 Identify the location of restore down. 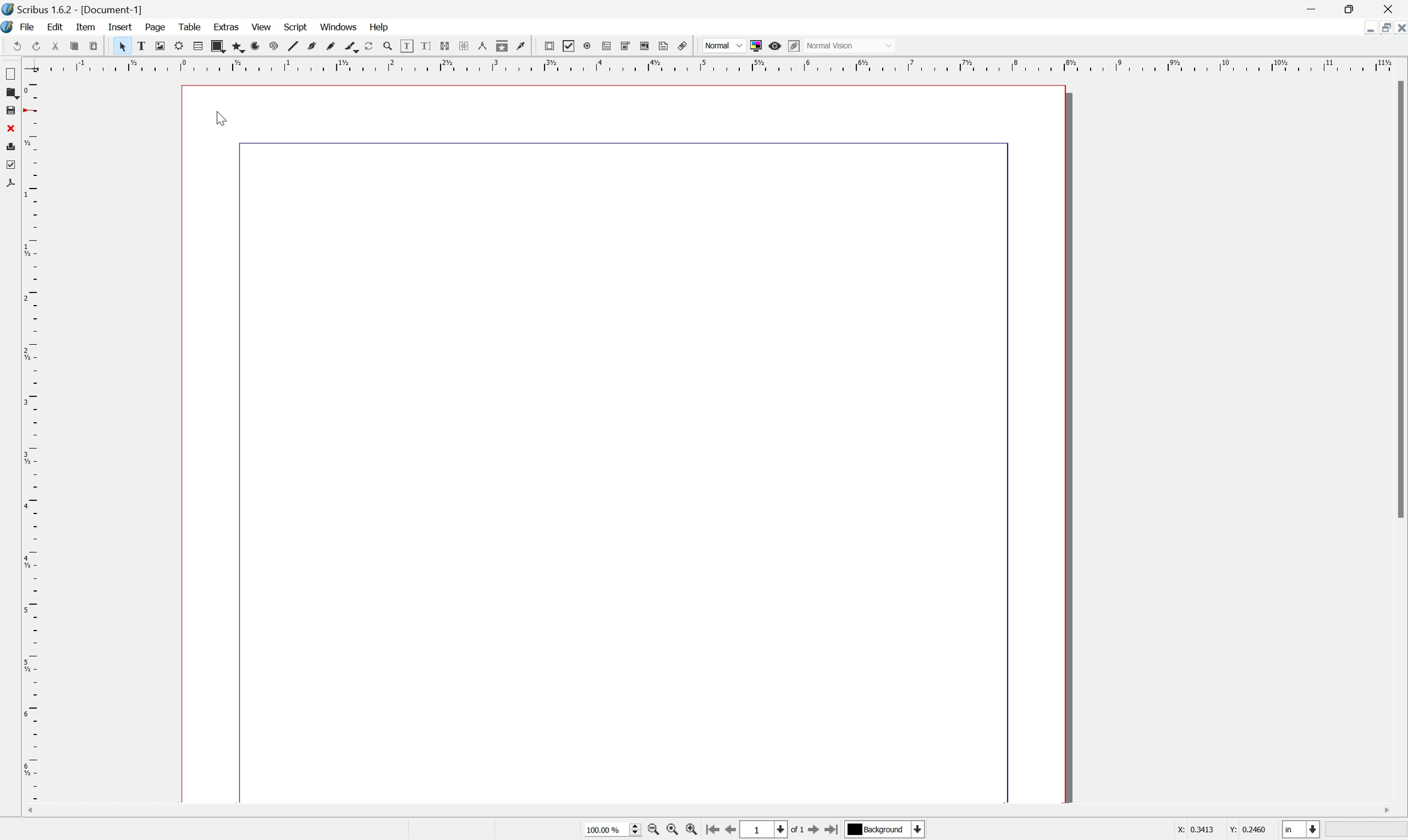
(1383, 29).